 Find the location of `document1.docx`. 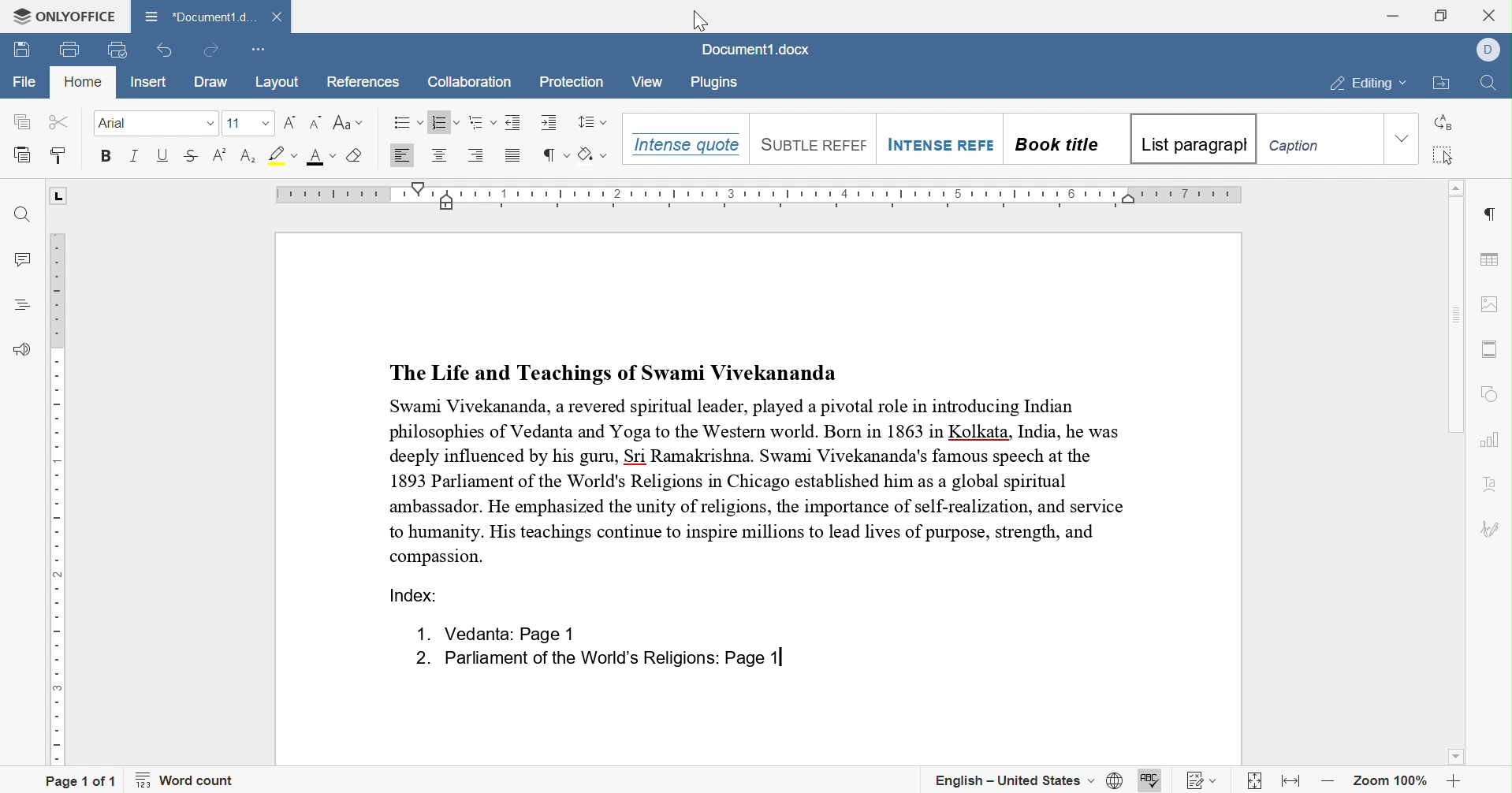

document1.docx is located at coordinates (752, 50).